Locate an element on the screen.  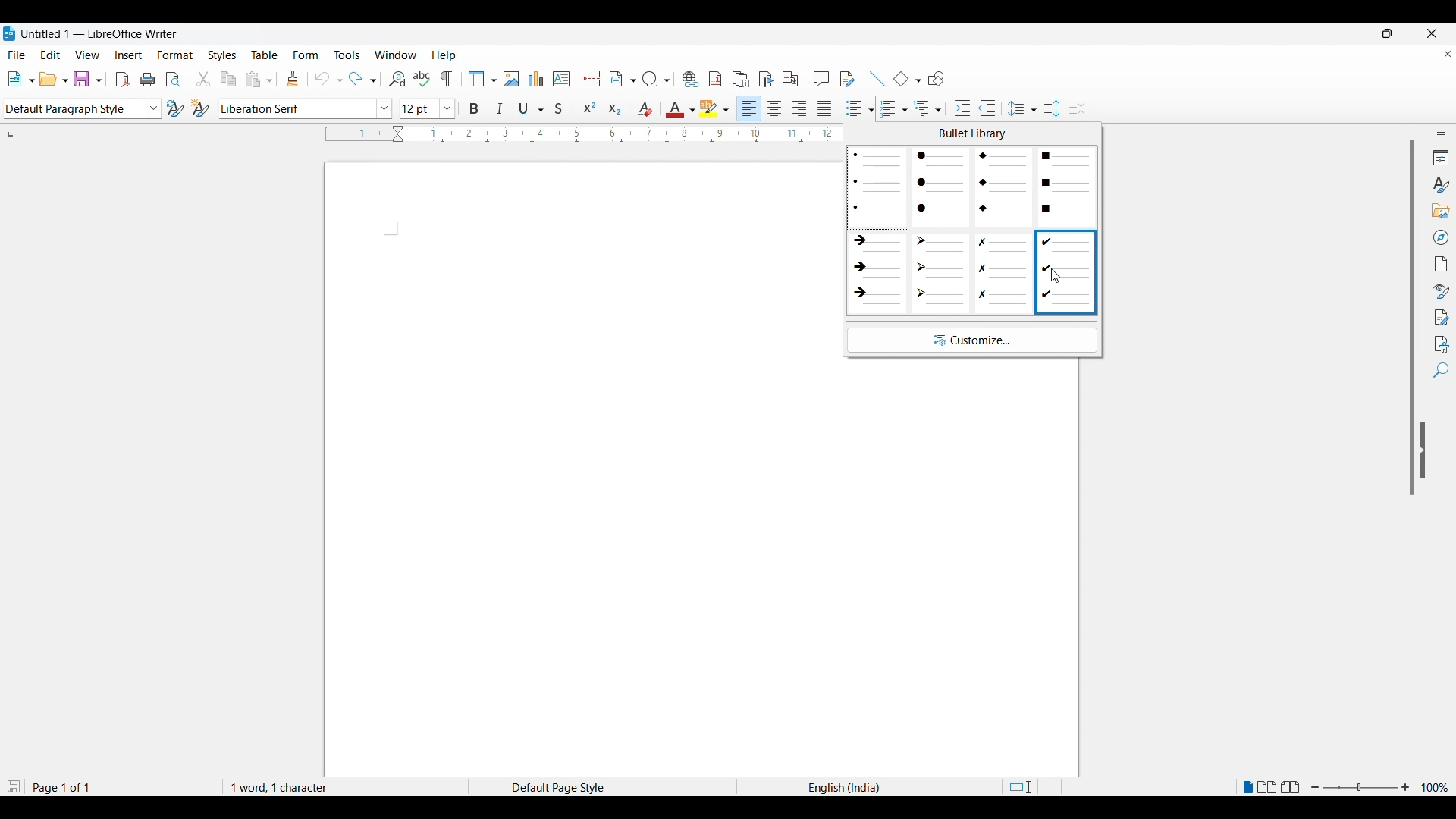
Selected outline format is located at coordinates (927, 108).